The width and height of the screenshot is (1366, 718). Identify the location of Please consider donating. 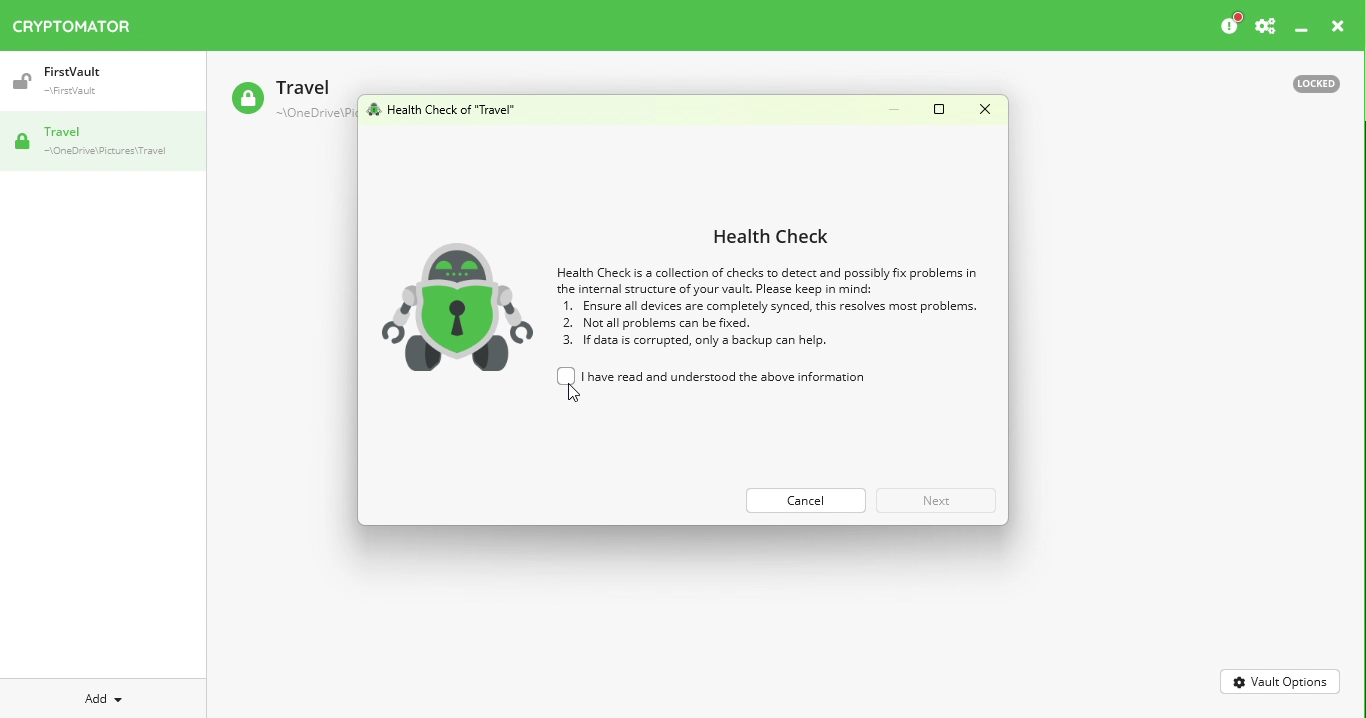
(1229, 24).